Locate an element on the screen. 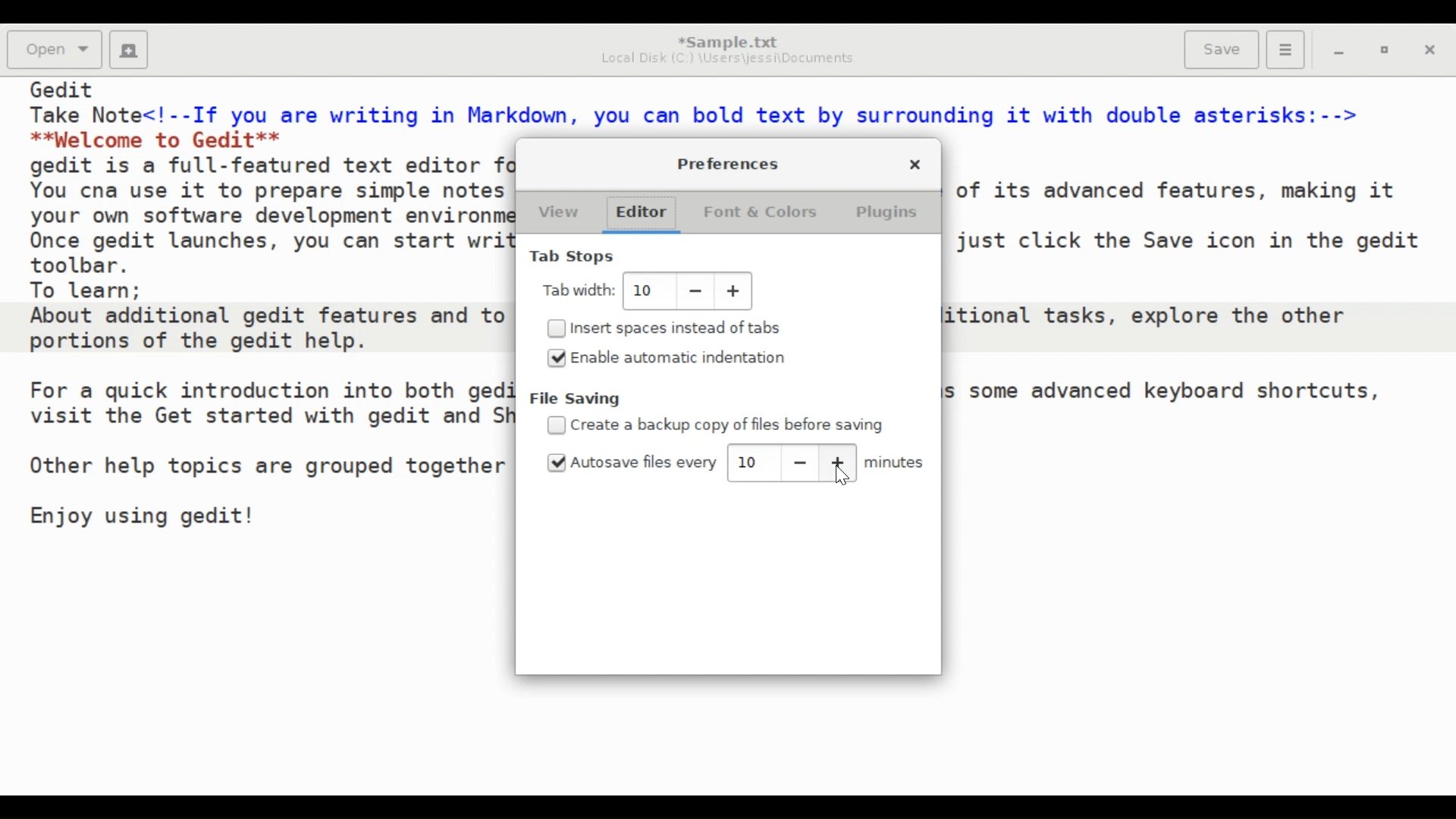  Plugins is located at coordinates (886, 212).